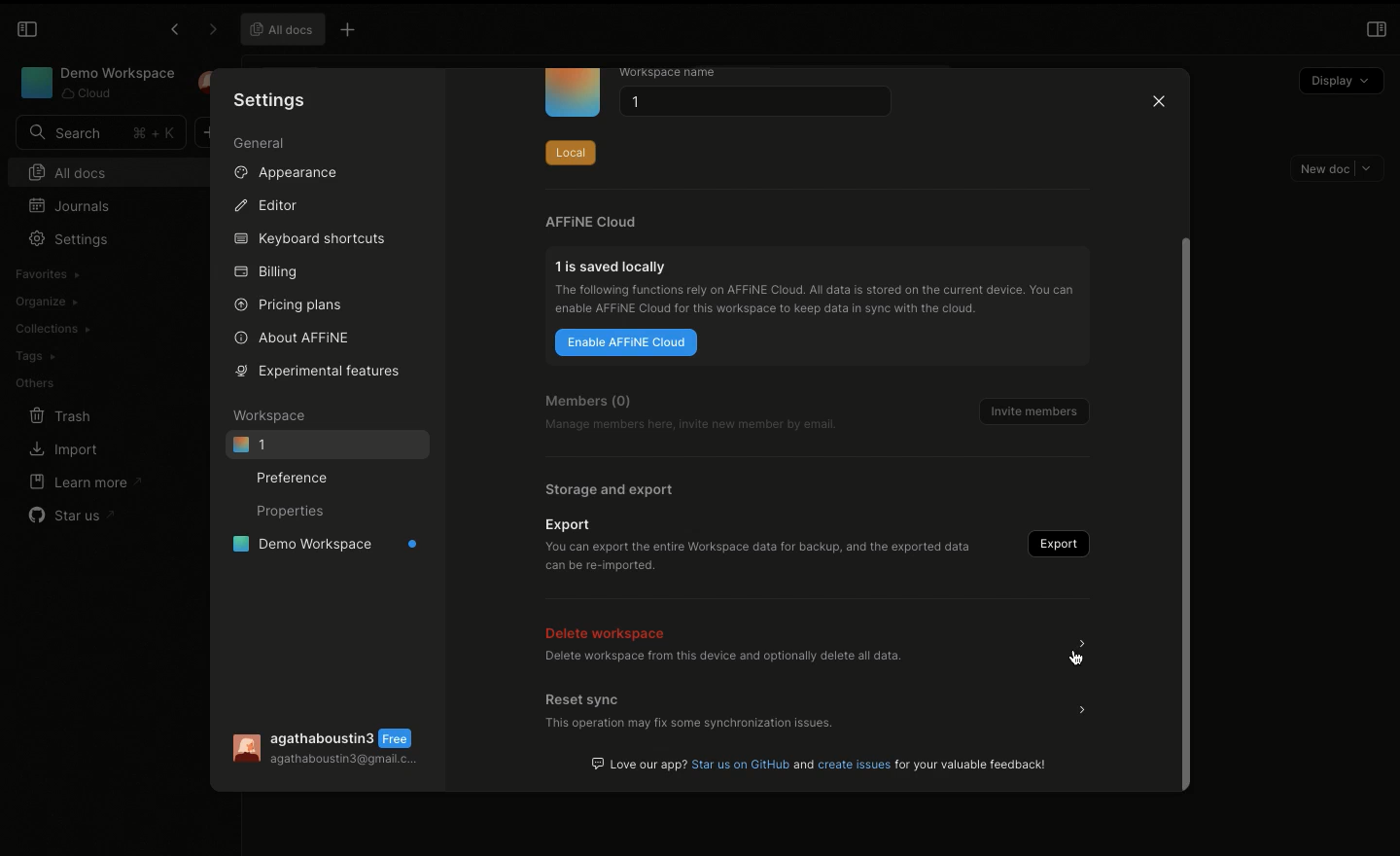 This screenshot has height=856, width=1400. What do you see at coordinates (687, 726) in the screenshot?
I see `Tis operation may Tix some Synchronization Issues.` at bounding box center [687, 726].